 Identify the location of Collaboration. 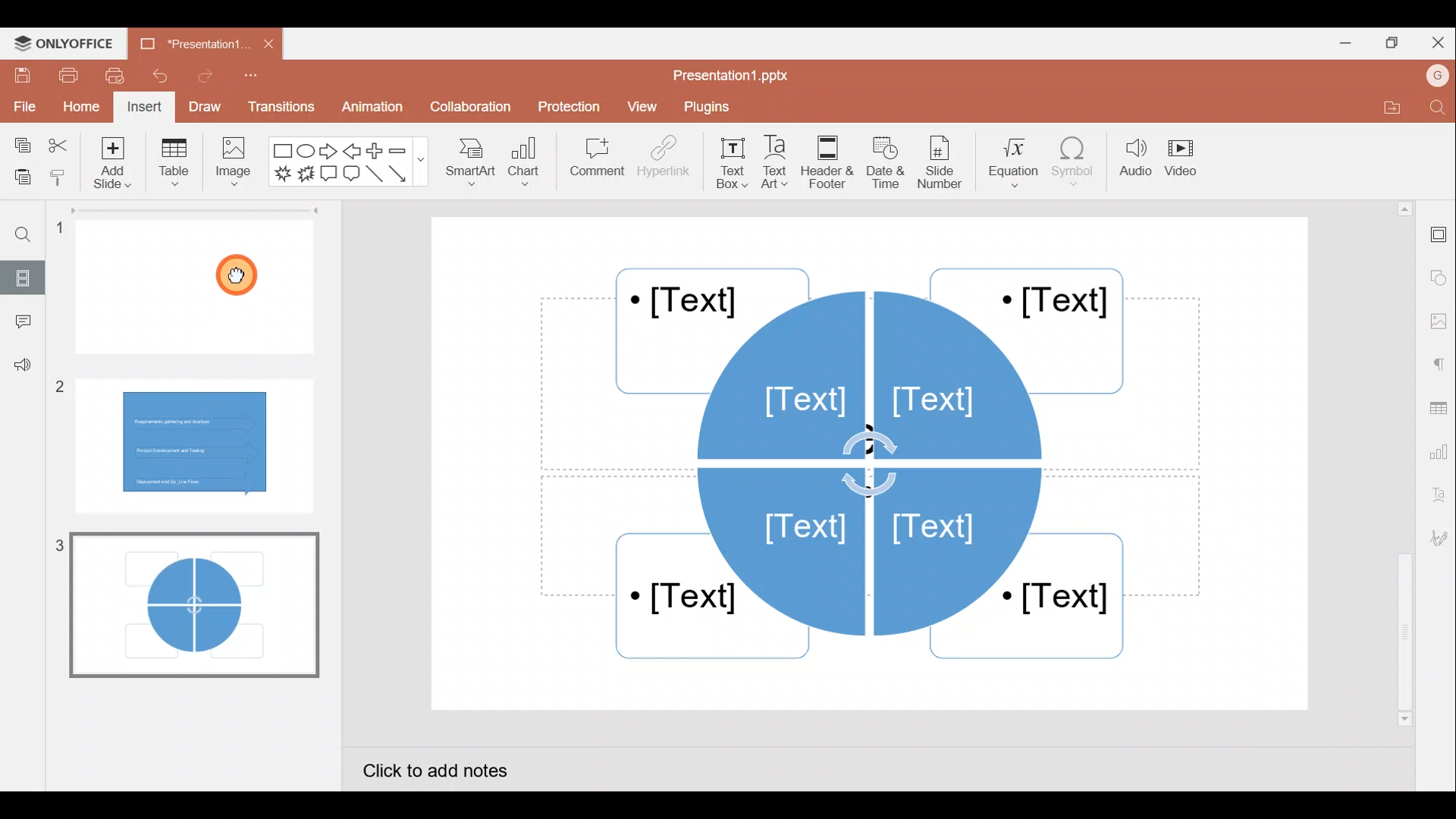
(469, 107).